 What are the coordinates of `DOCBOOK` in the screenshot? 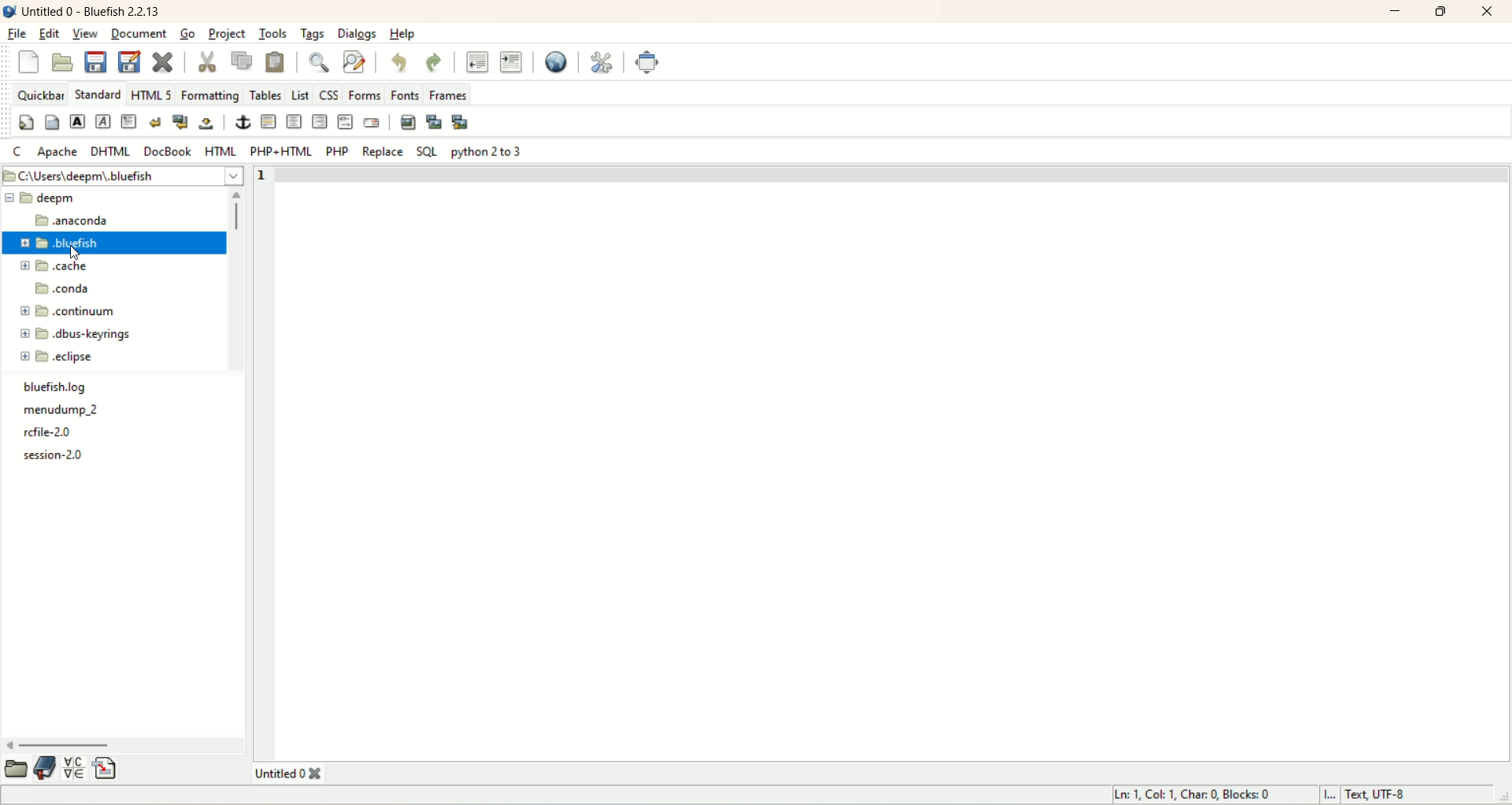 It's located at (169, 151).